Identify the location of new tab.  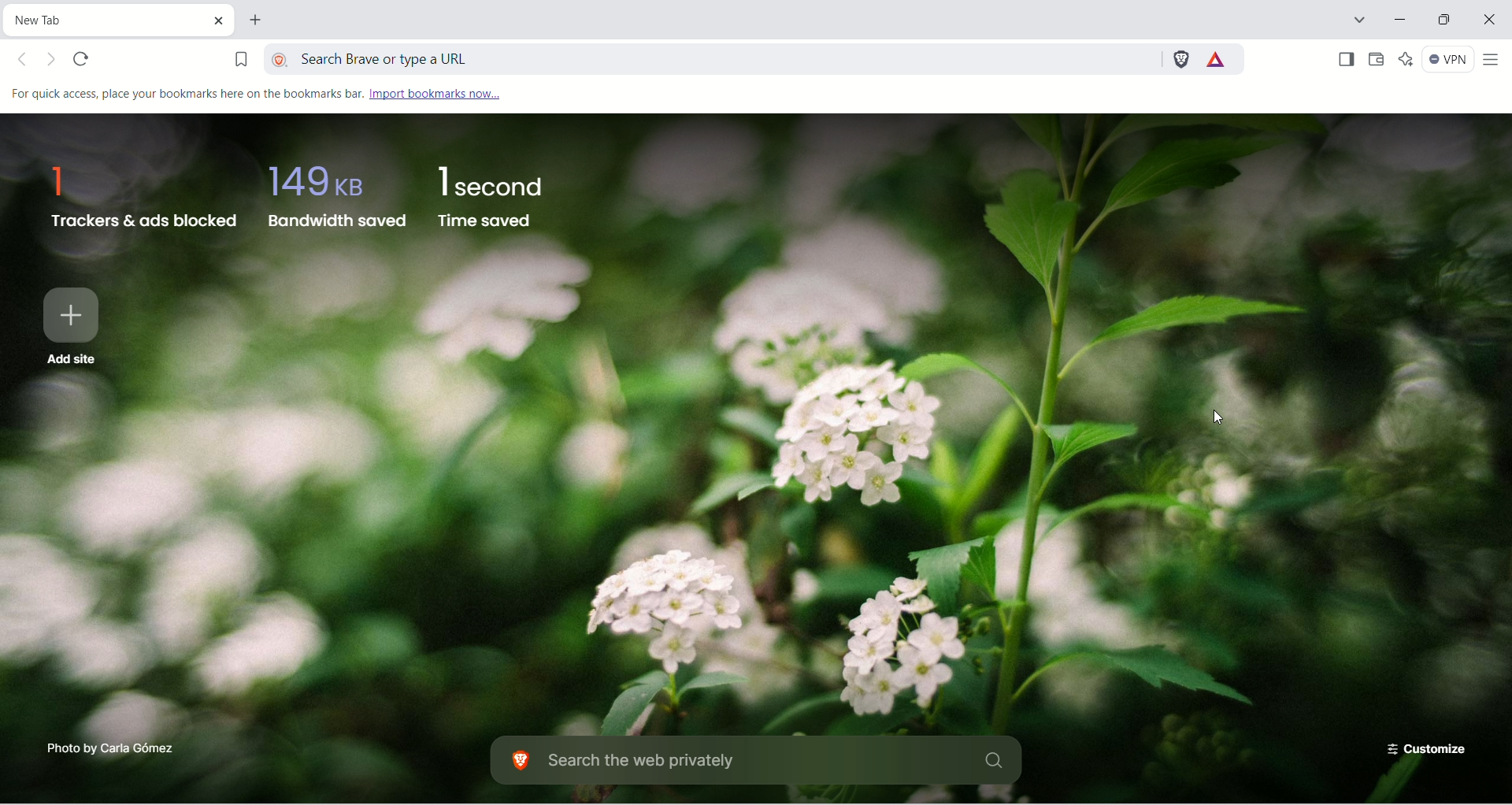
(120, 22).